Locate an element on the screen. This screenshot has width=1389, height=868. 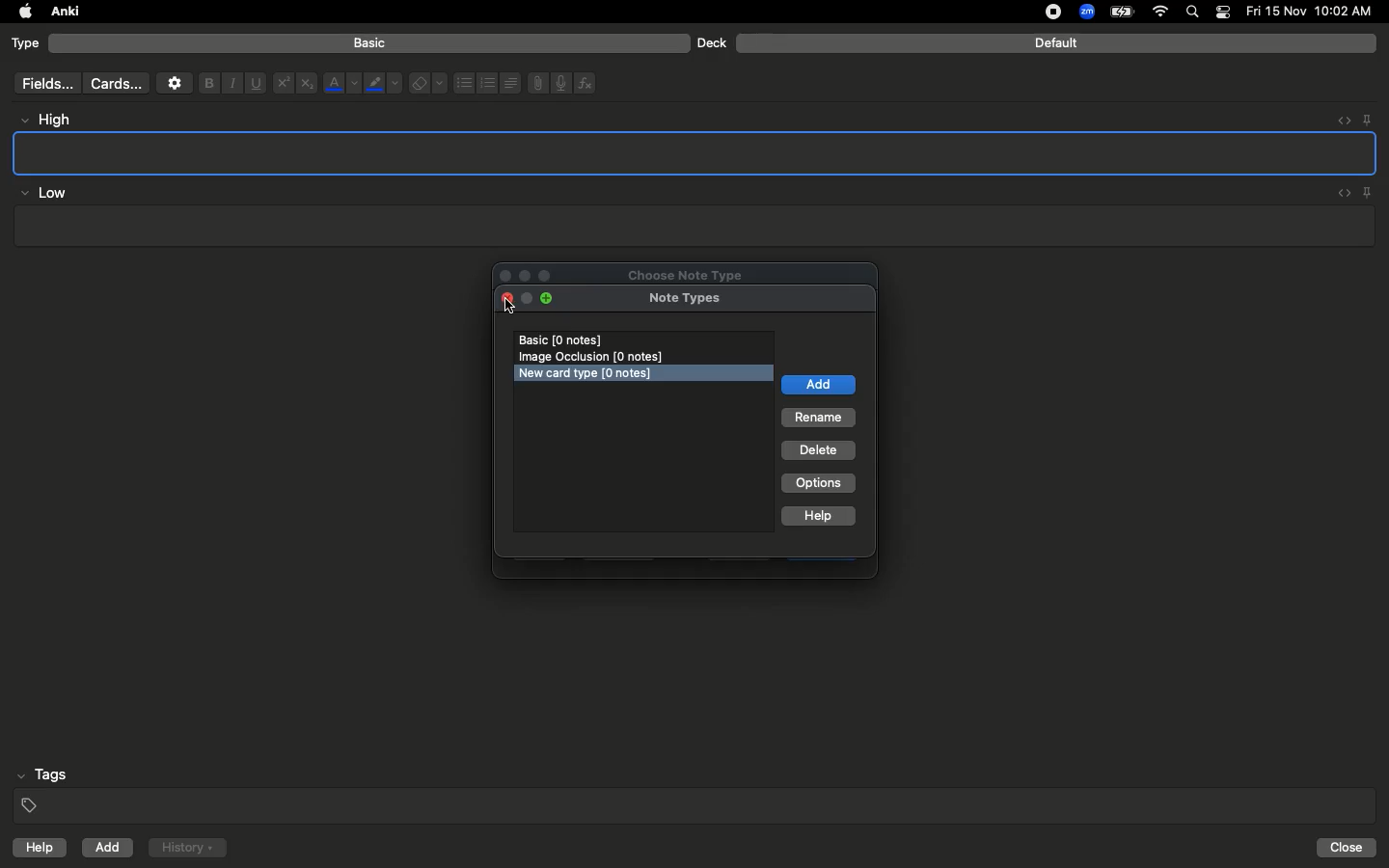
Close is located at coordinates (1349, 848).